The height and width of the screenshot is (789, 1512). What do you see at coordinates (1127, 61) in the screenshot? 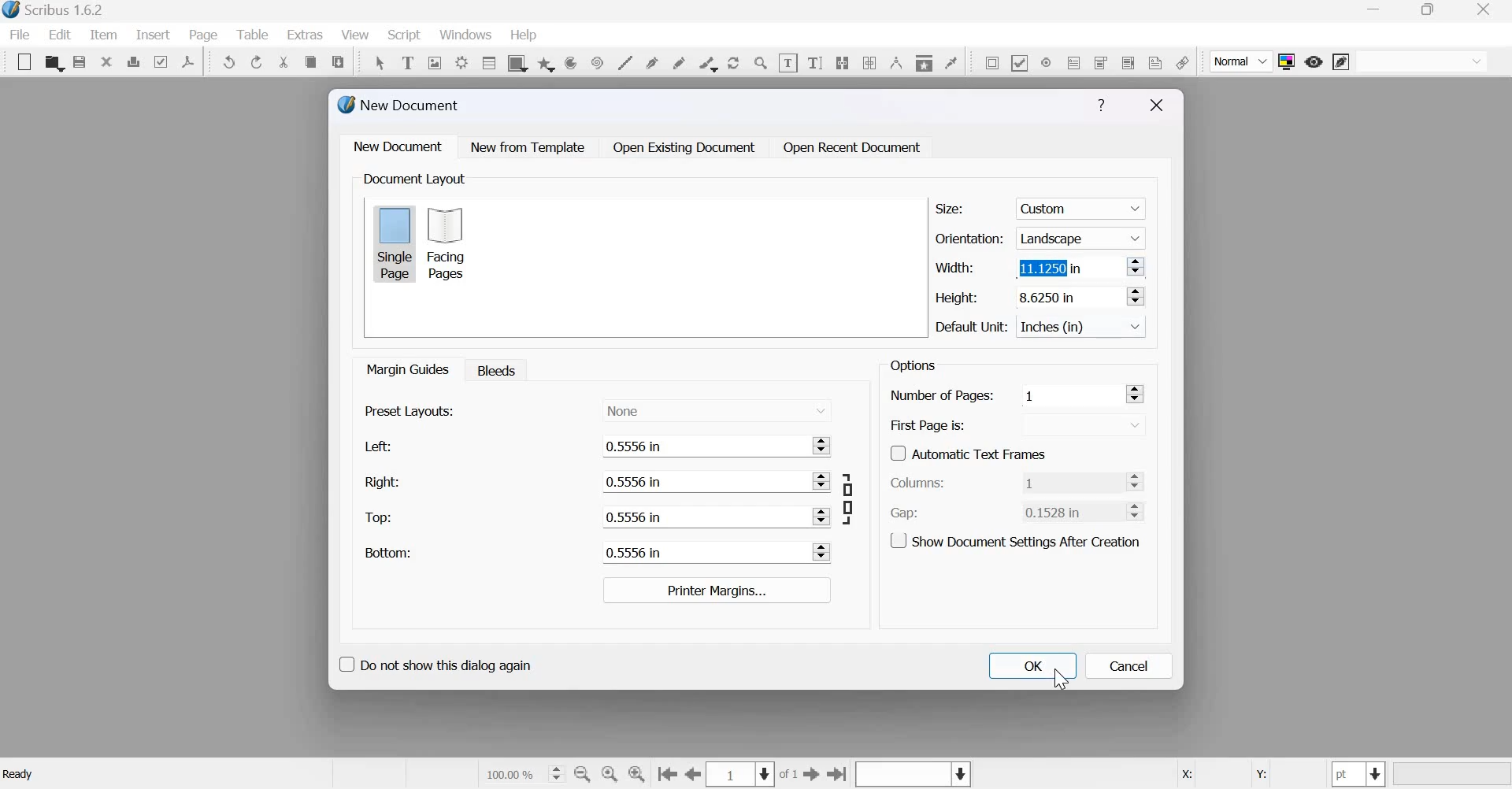
I see `PDF list box` at bounding box center [1127, 61].